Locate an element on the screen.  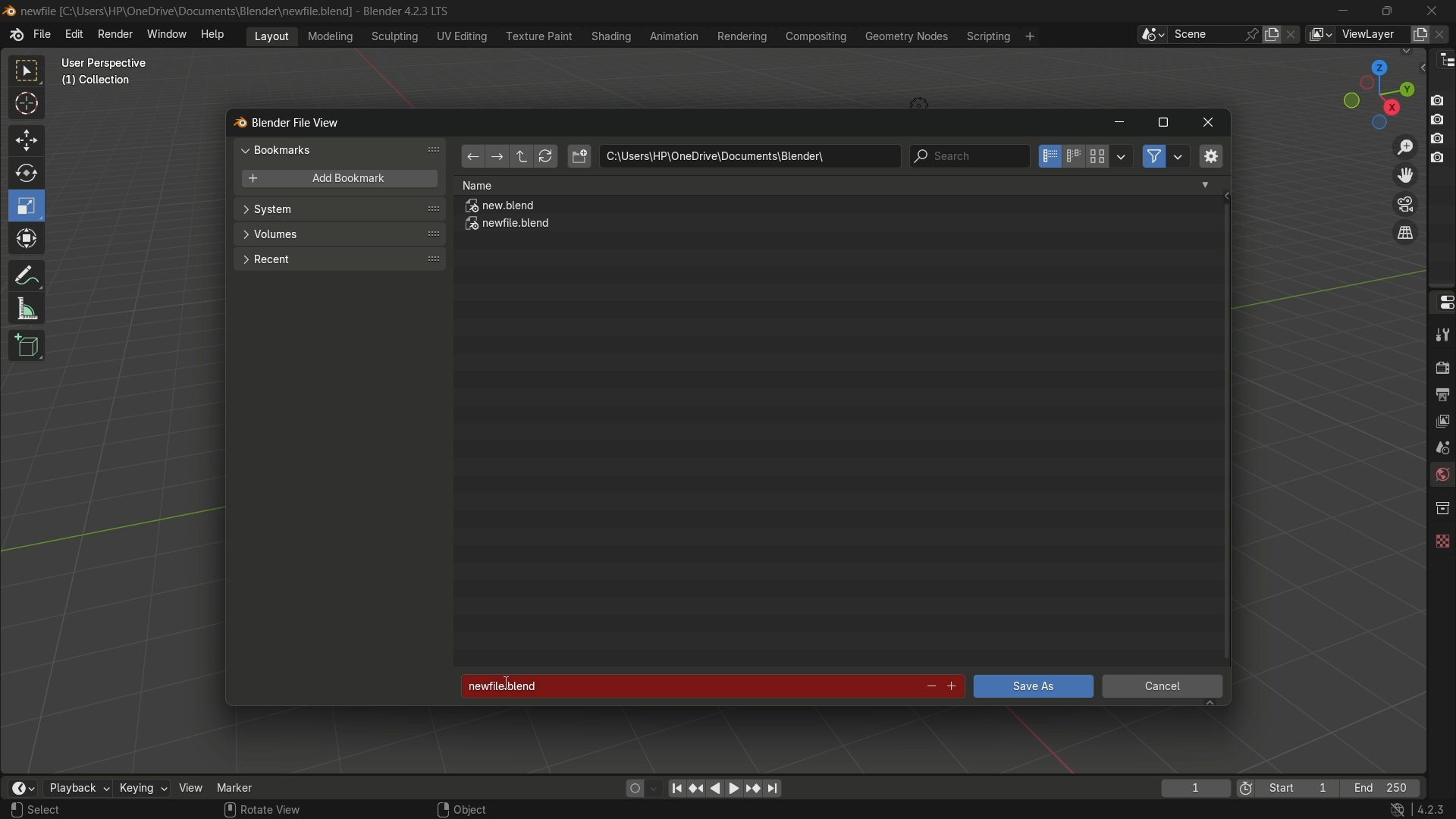
minimize is located at coordinates (1344, 11).